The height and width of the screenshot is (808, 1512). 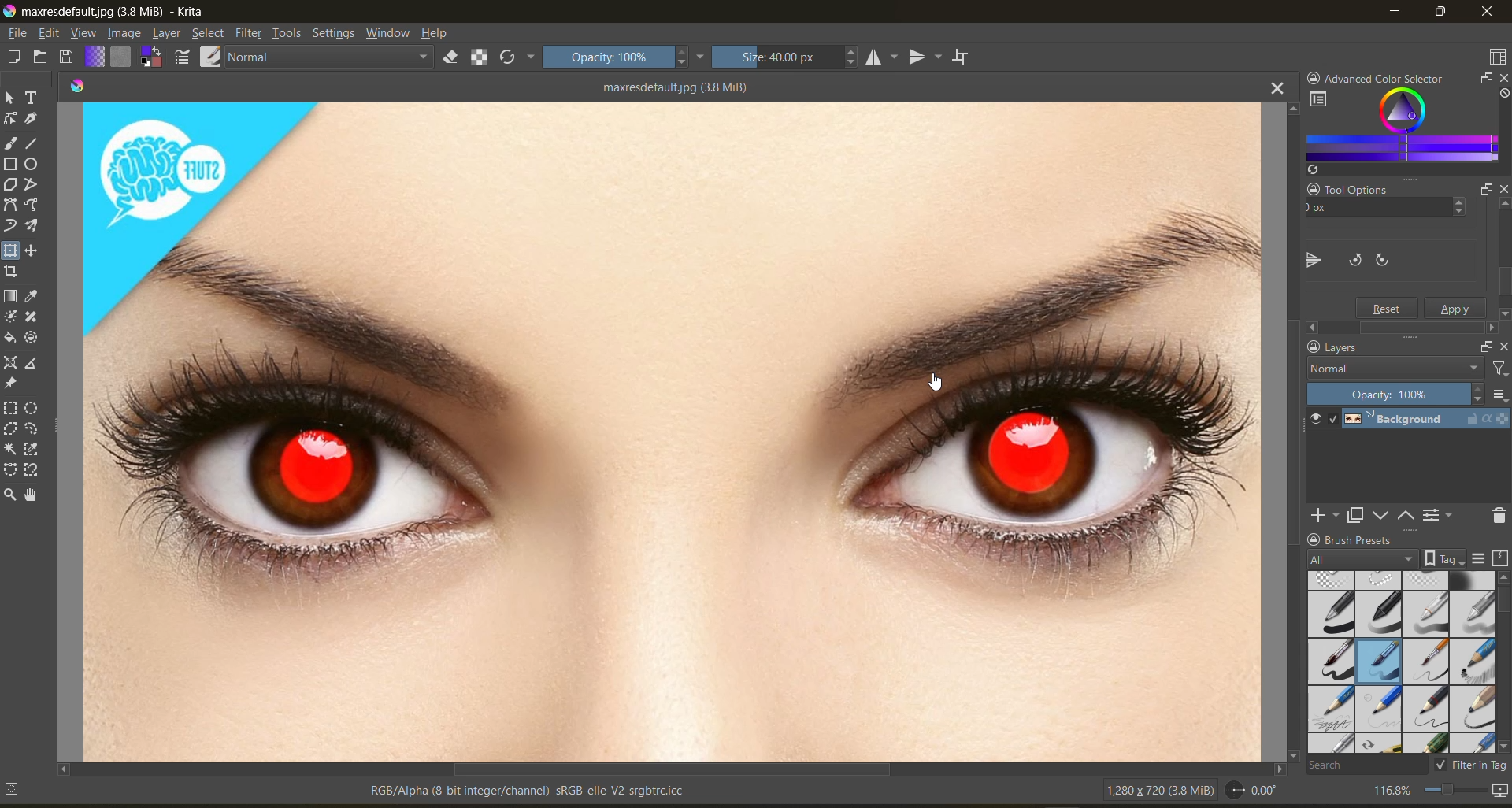 I want to click on choose workspace, so click(x=1496, y=57).